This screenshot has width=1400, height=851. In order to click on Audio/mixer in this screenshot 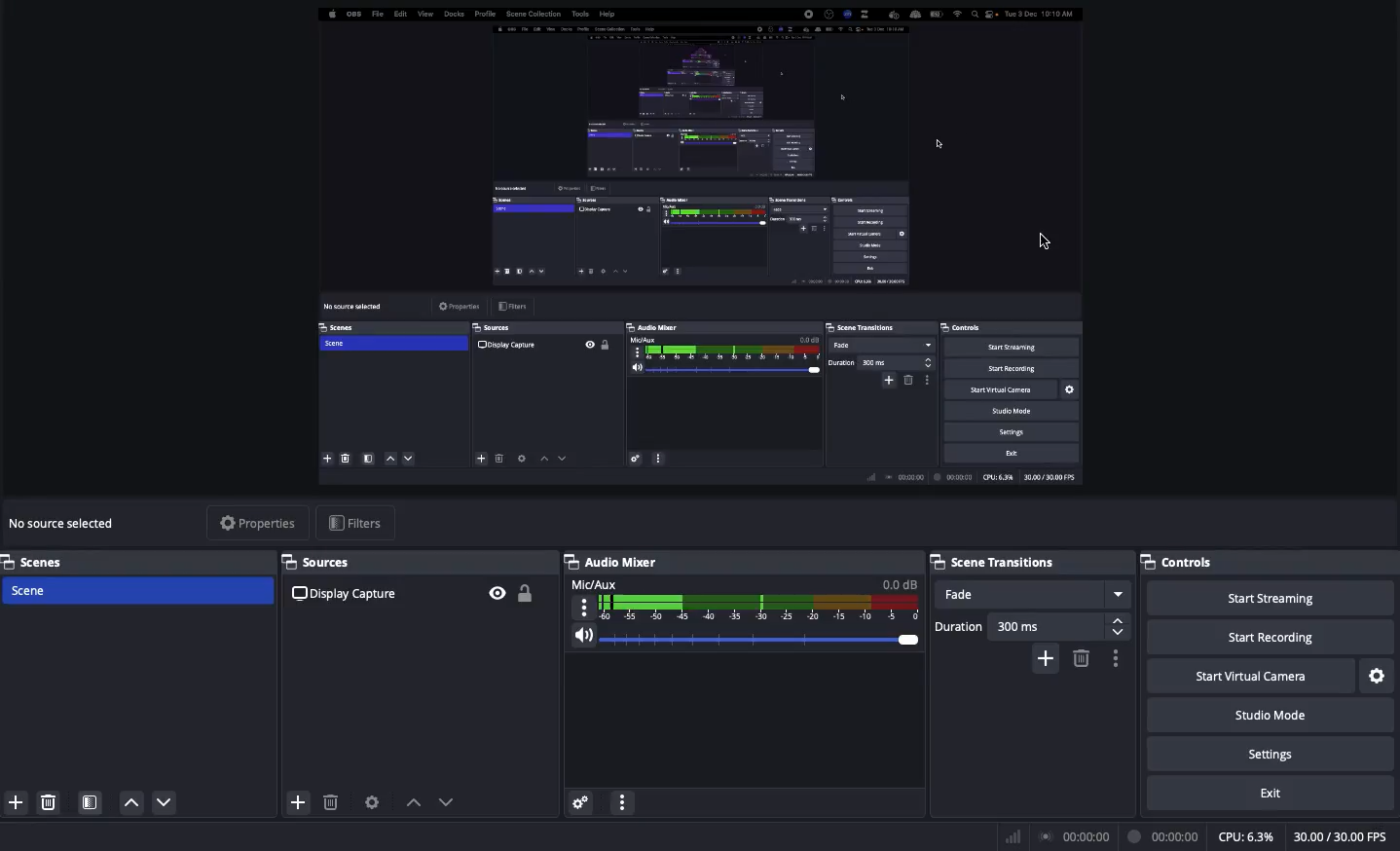, I will do `click(736, 559)`.